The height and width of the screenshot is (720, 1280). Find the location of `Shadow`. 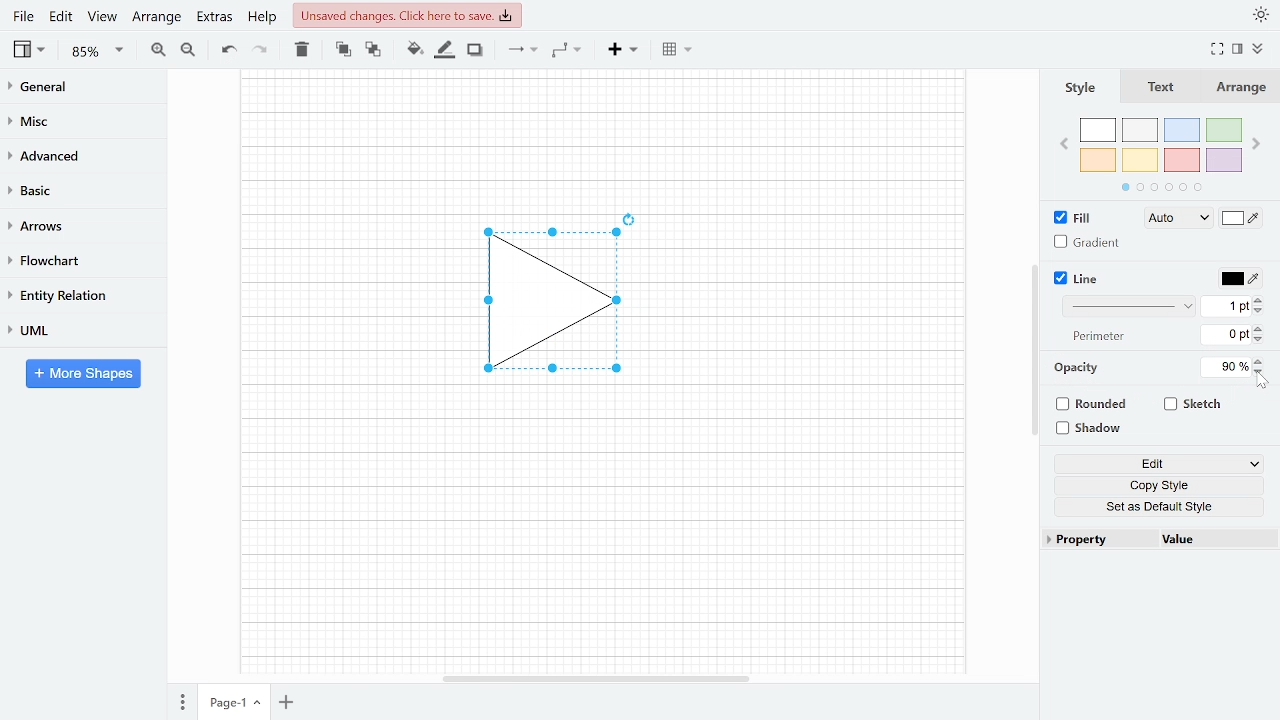

Shadow is located at coordinates (1096, 429).